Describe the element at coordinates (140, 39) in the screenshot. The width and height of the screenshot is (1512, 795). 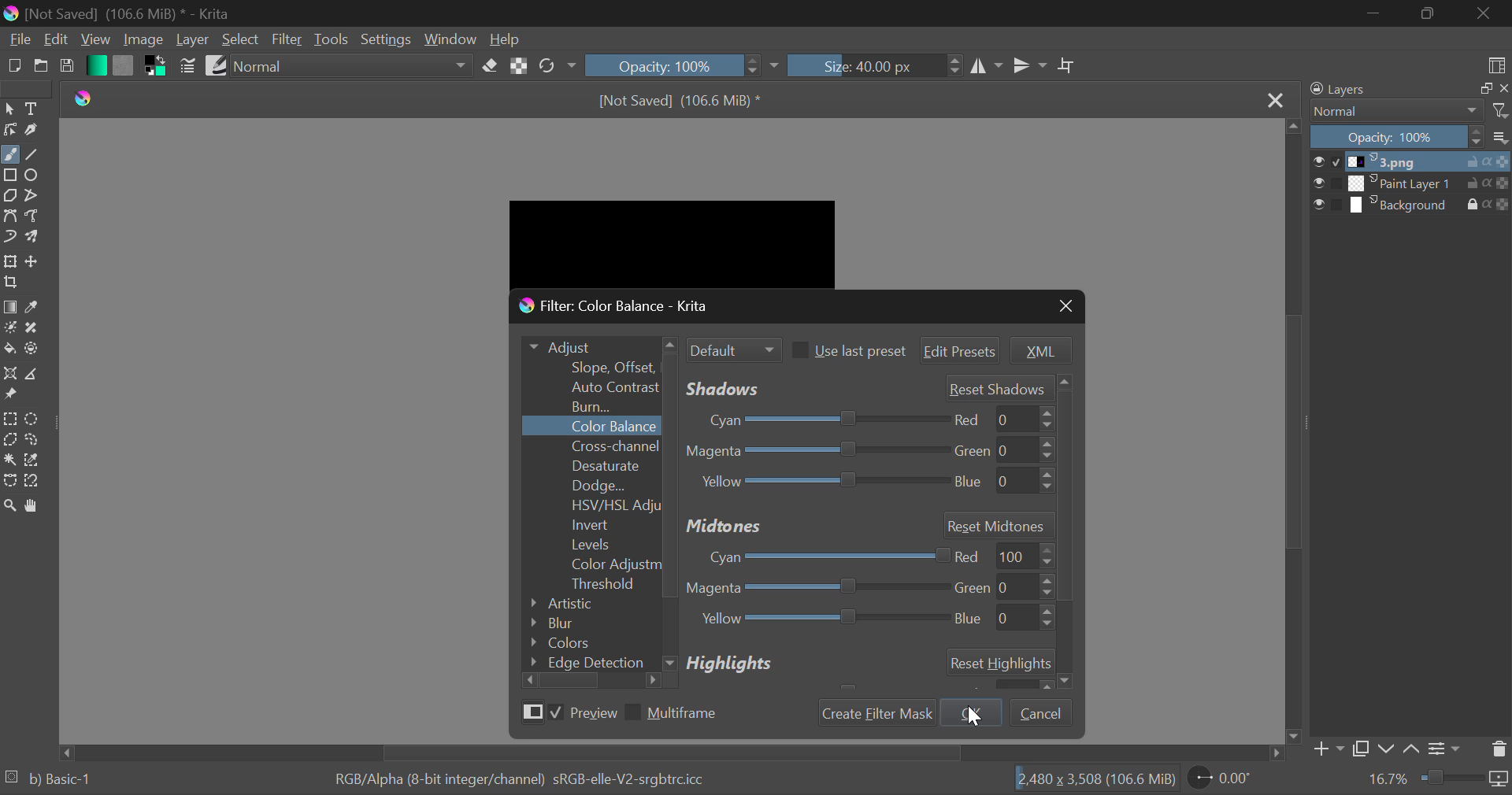
I see `Image` at that location.